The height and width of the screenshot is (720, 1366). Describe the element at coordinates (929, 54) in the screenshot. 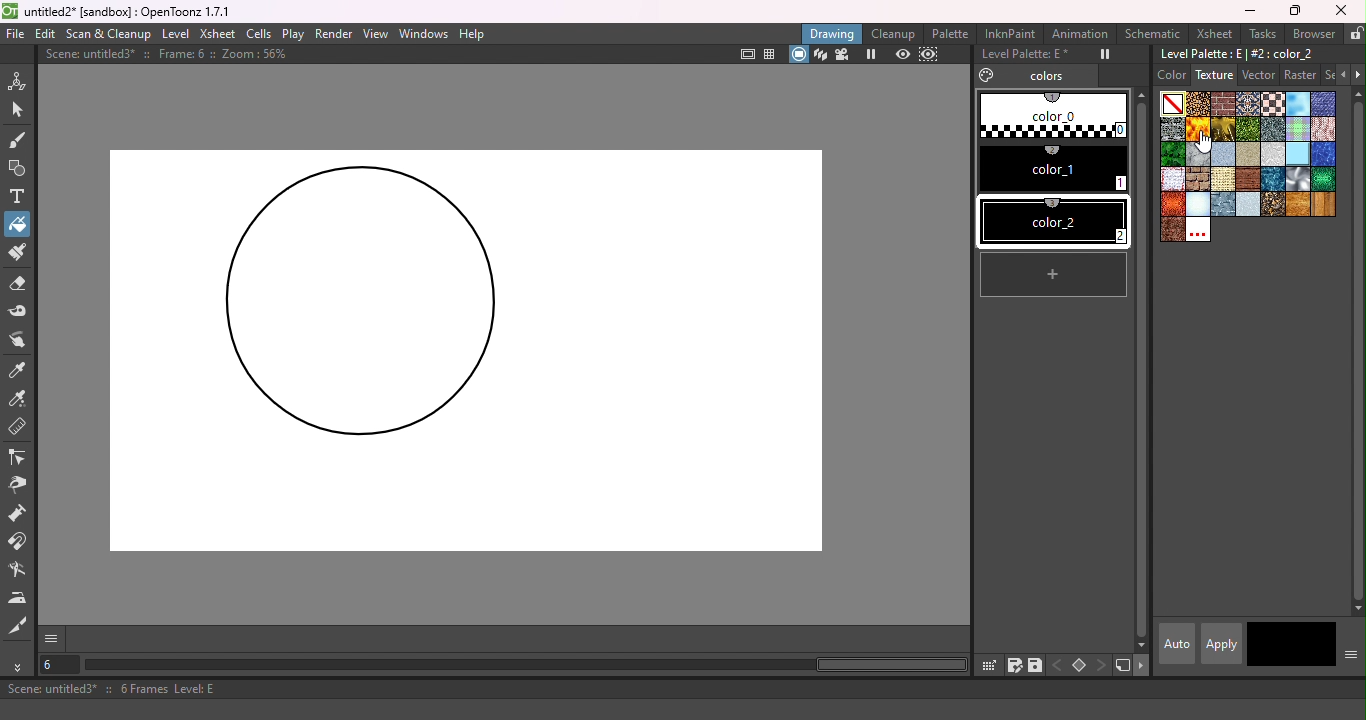

I see `sub-camera preview` at that location.